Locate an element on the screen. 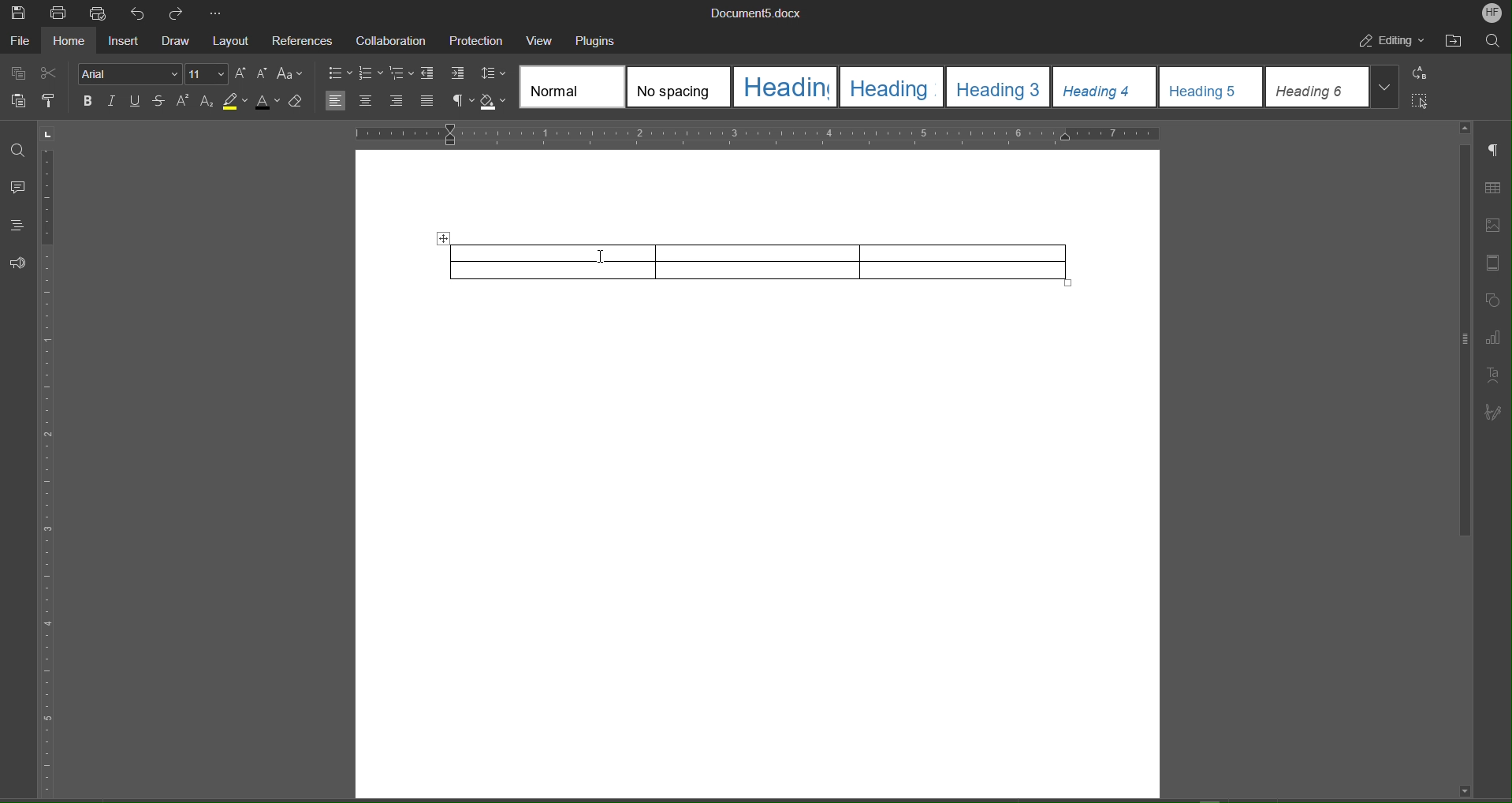 This screenshot has height=803, width=1512. Text Case Settings is located at coordinates (292, 73).